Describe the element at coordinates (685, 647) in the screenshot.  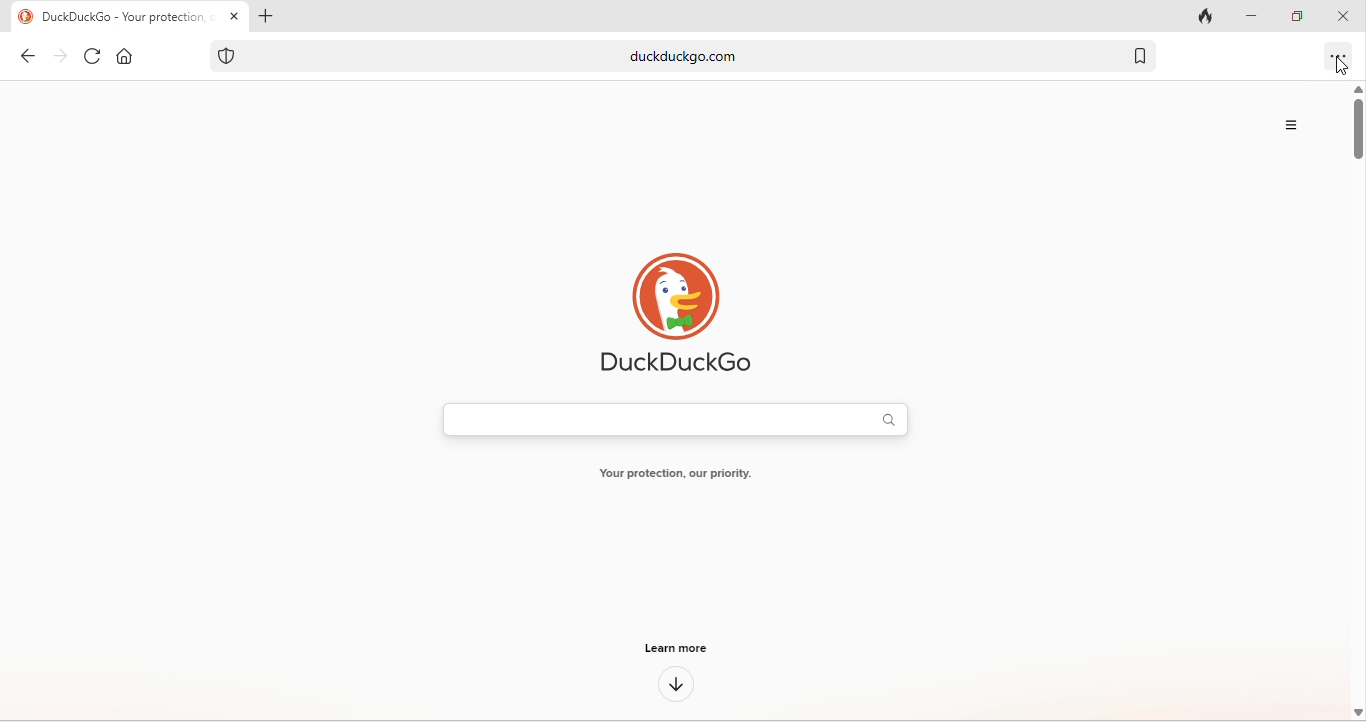
I see `learn more` at that location.